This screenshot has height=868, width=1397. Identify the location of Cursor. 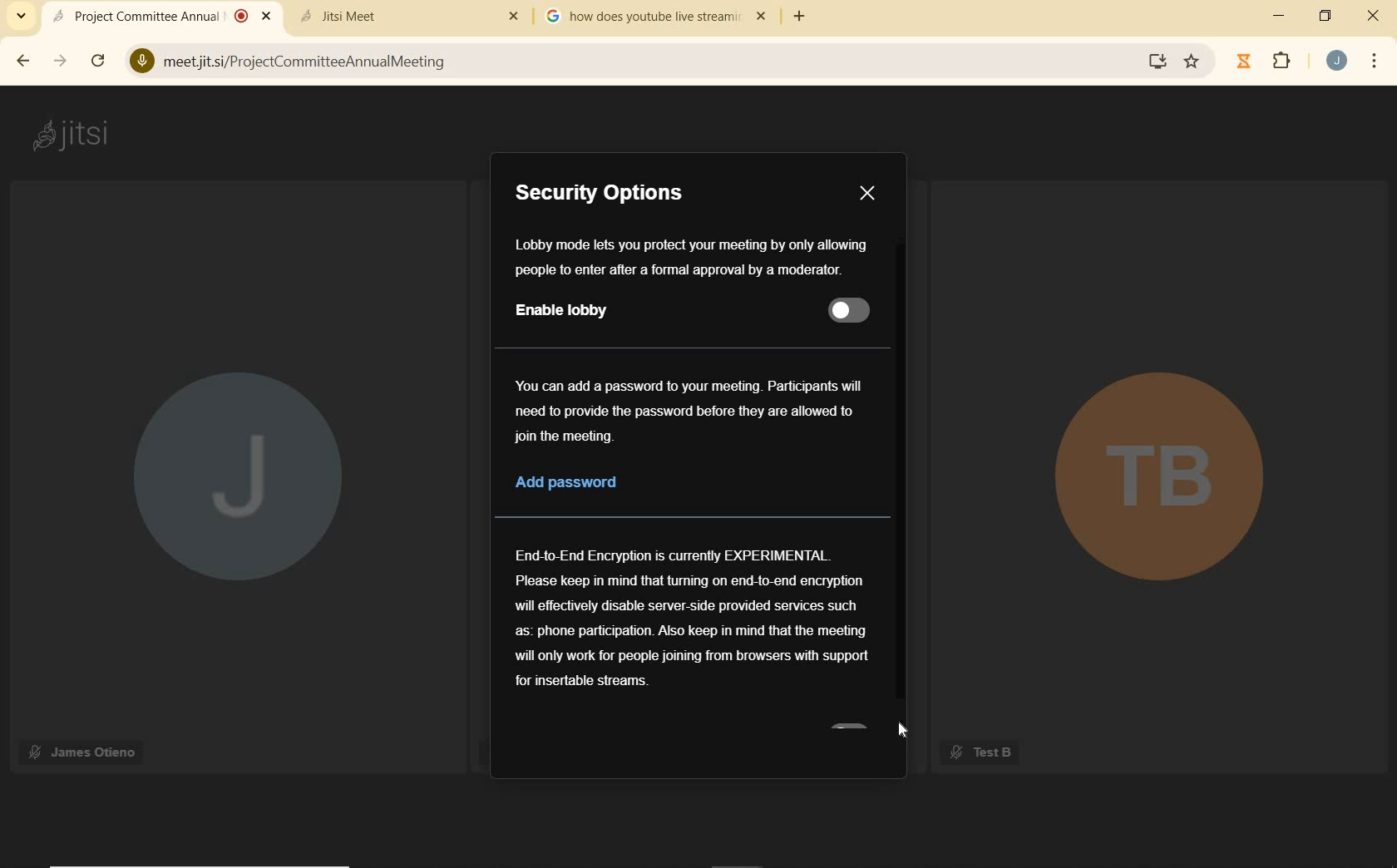
(905, 730).